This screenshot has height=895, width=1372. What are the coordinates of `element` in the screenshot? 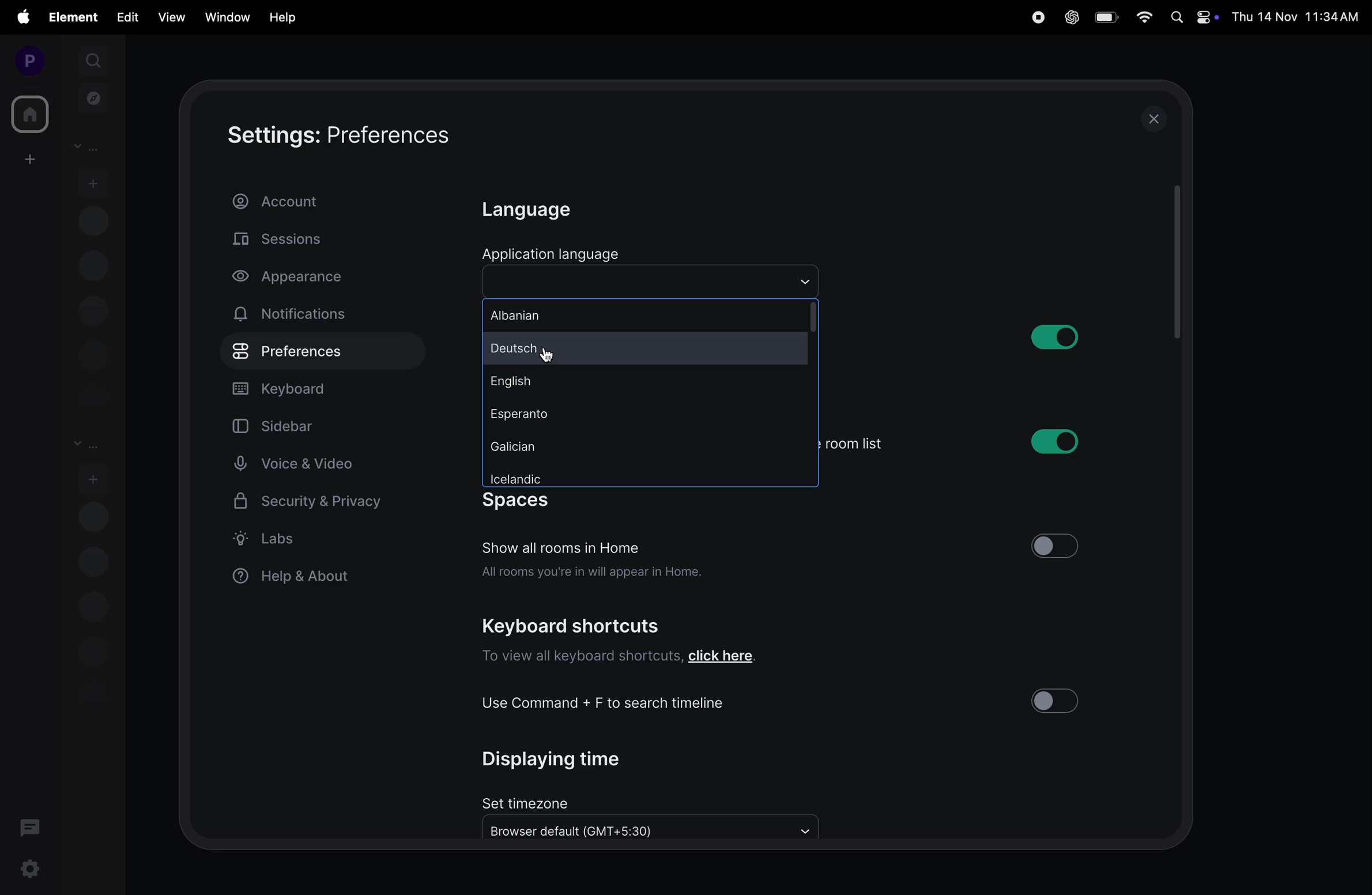 It's located at (70, 16).